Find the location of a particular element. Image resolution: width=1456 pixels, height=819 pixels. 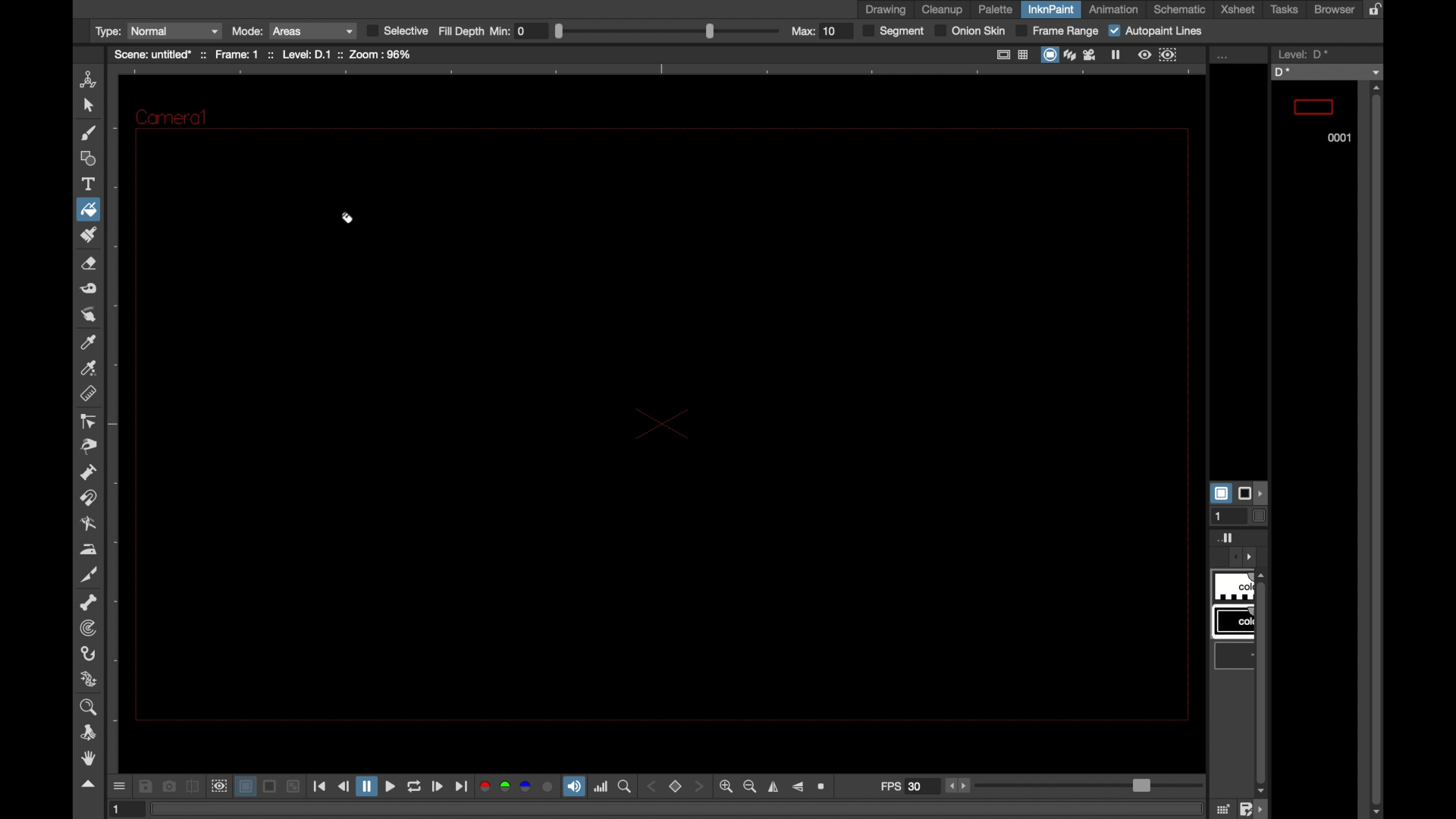

minimize is located at coordinates (295, 786).